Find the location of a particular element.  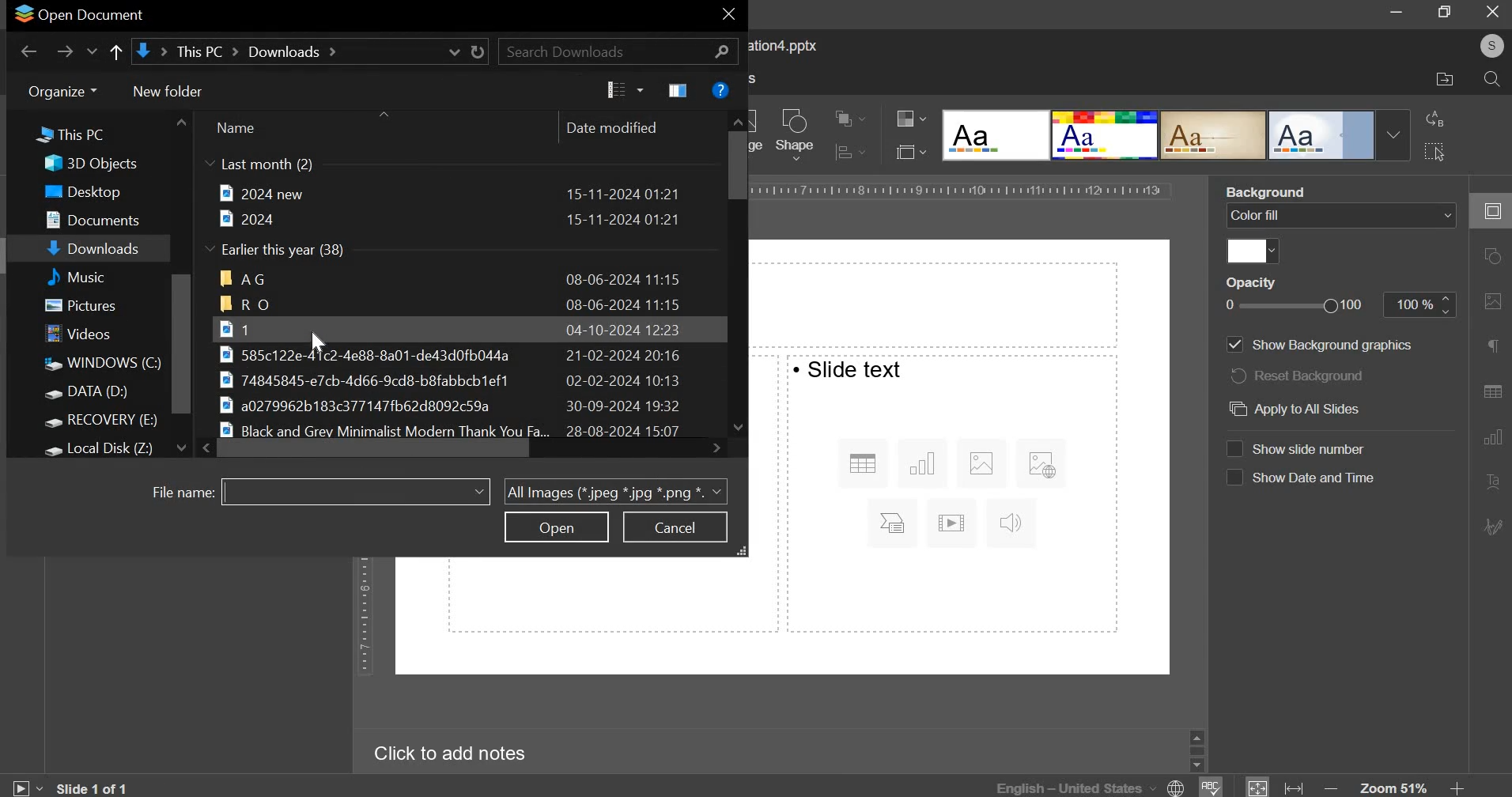

vertical slider is located at coordinates (736, 272).